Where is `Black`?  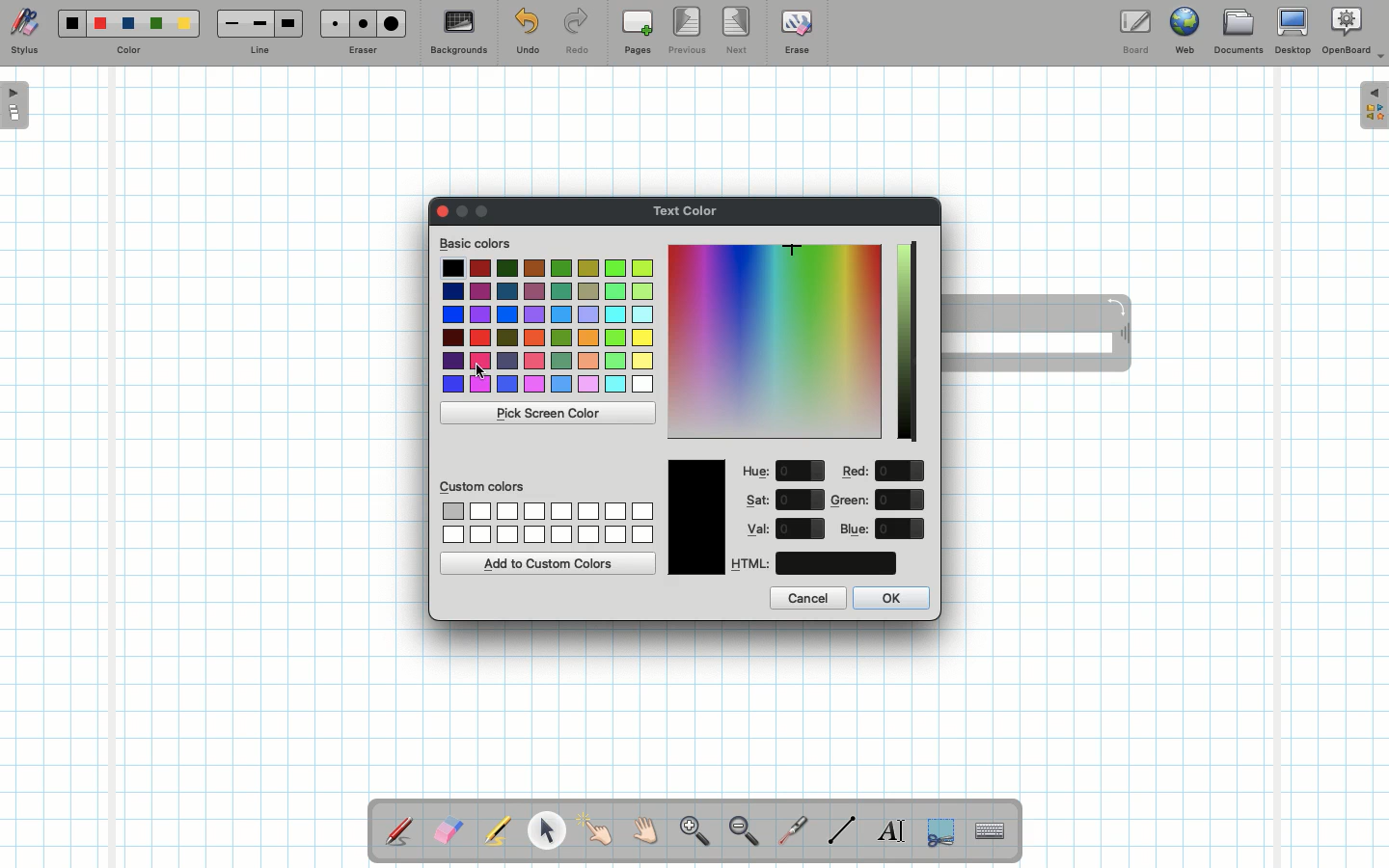 Black is located at coordinates (70, 23).